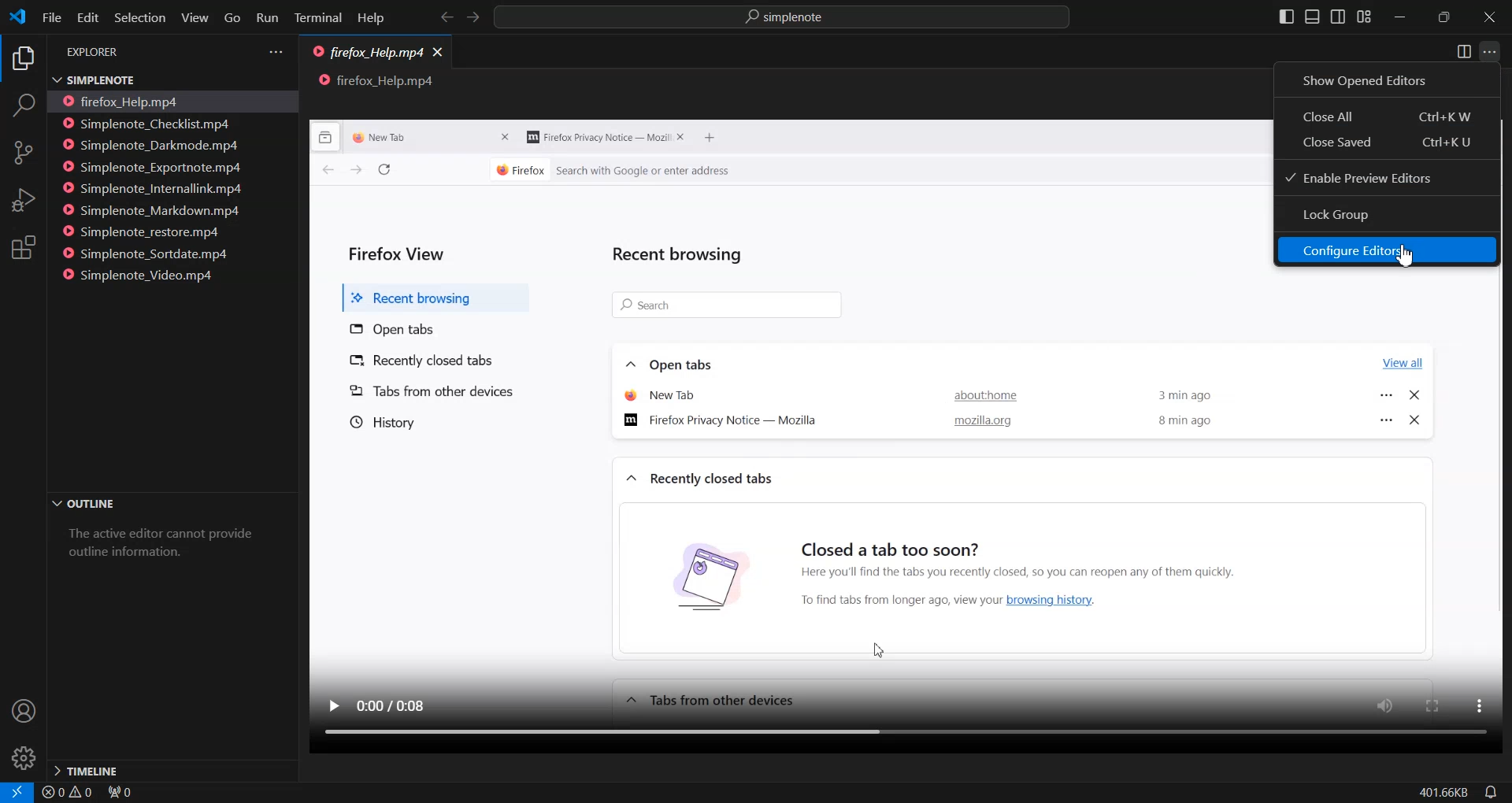 This screenshot has height=803, width=1512. I want to click on ) Simplenote_Markdown.mp4, so click(150, 211).